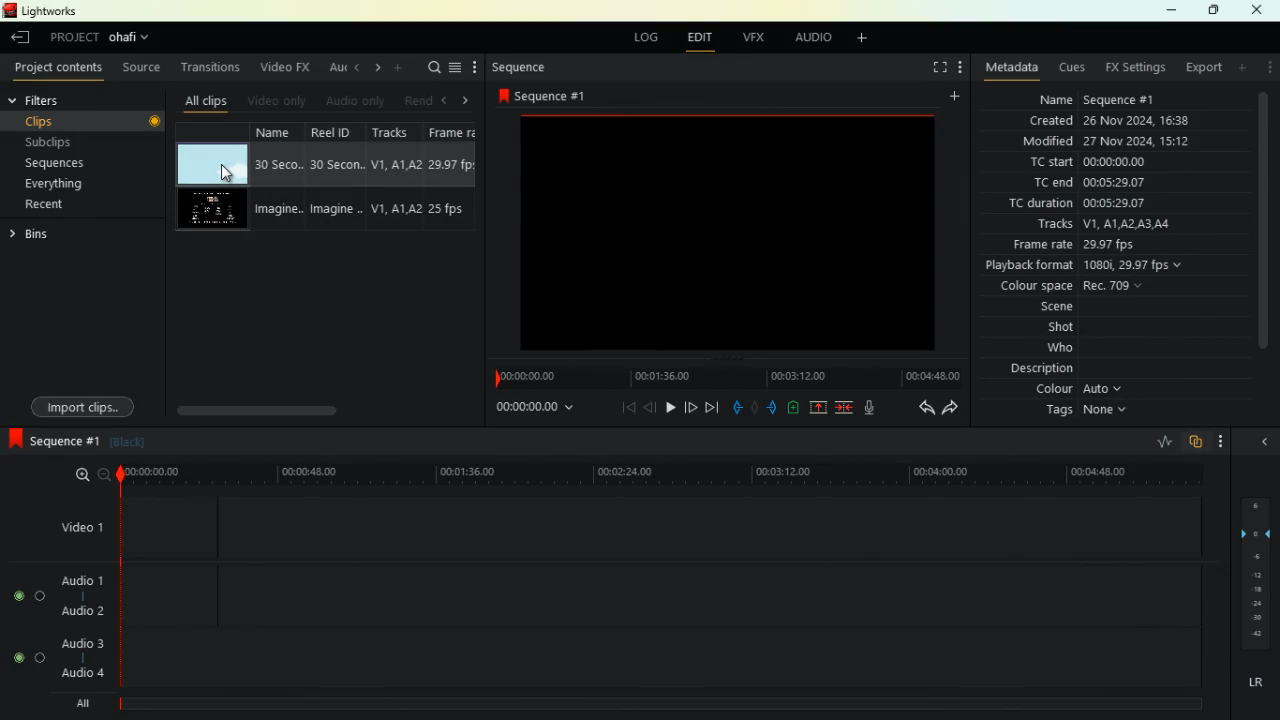 The width and height of the screenshot is (1280, 720). I want to click on tc start, so click(1085, 163).